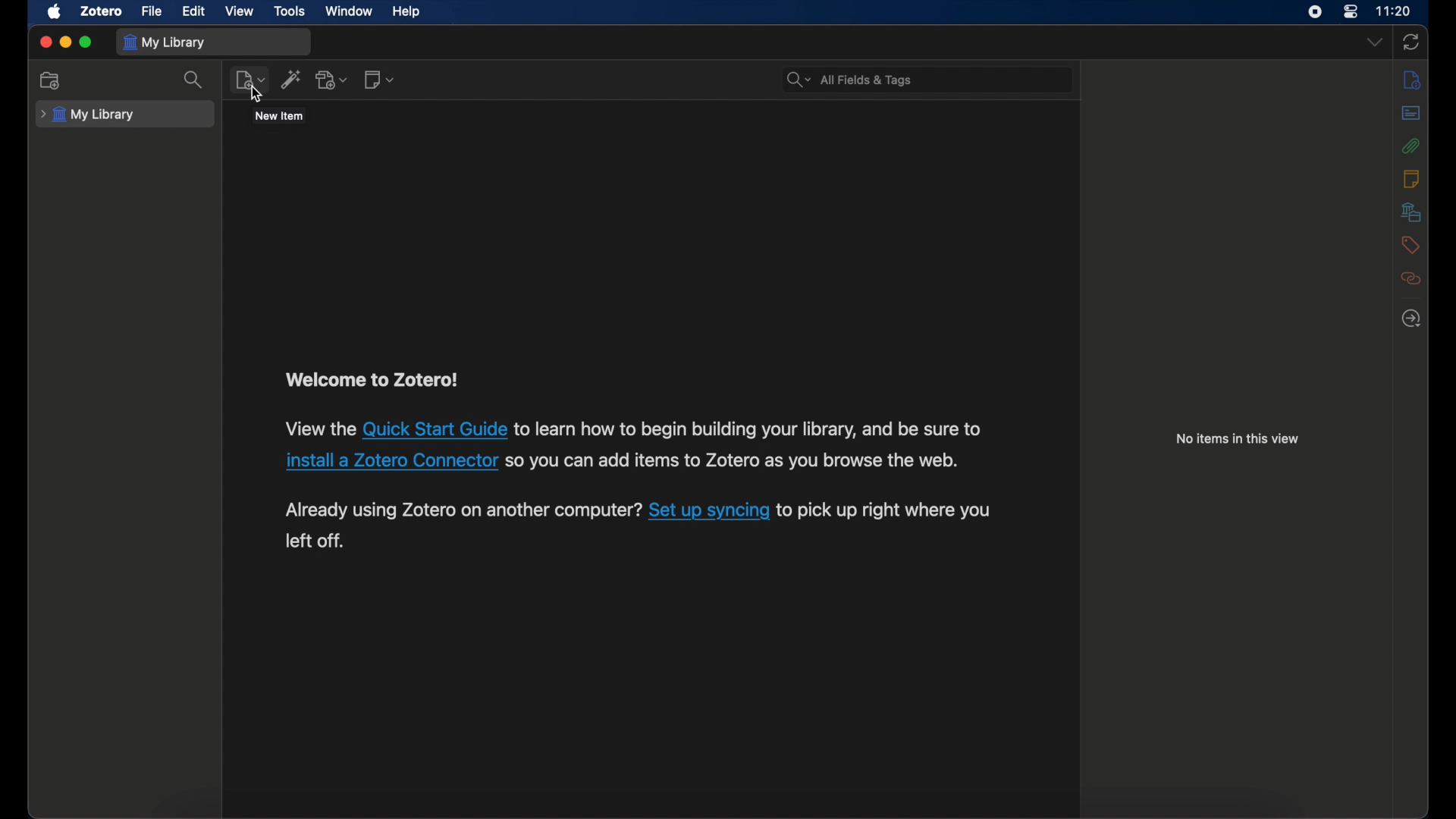 This screenshot has width=1456, height=819. Describe the element at coordinates (1395, 11) in the screenshot. I see `time` at that location.